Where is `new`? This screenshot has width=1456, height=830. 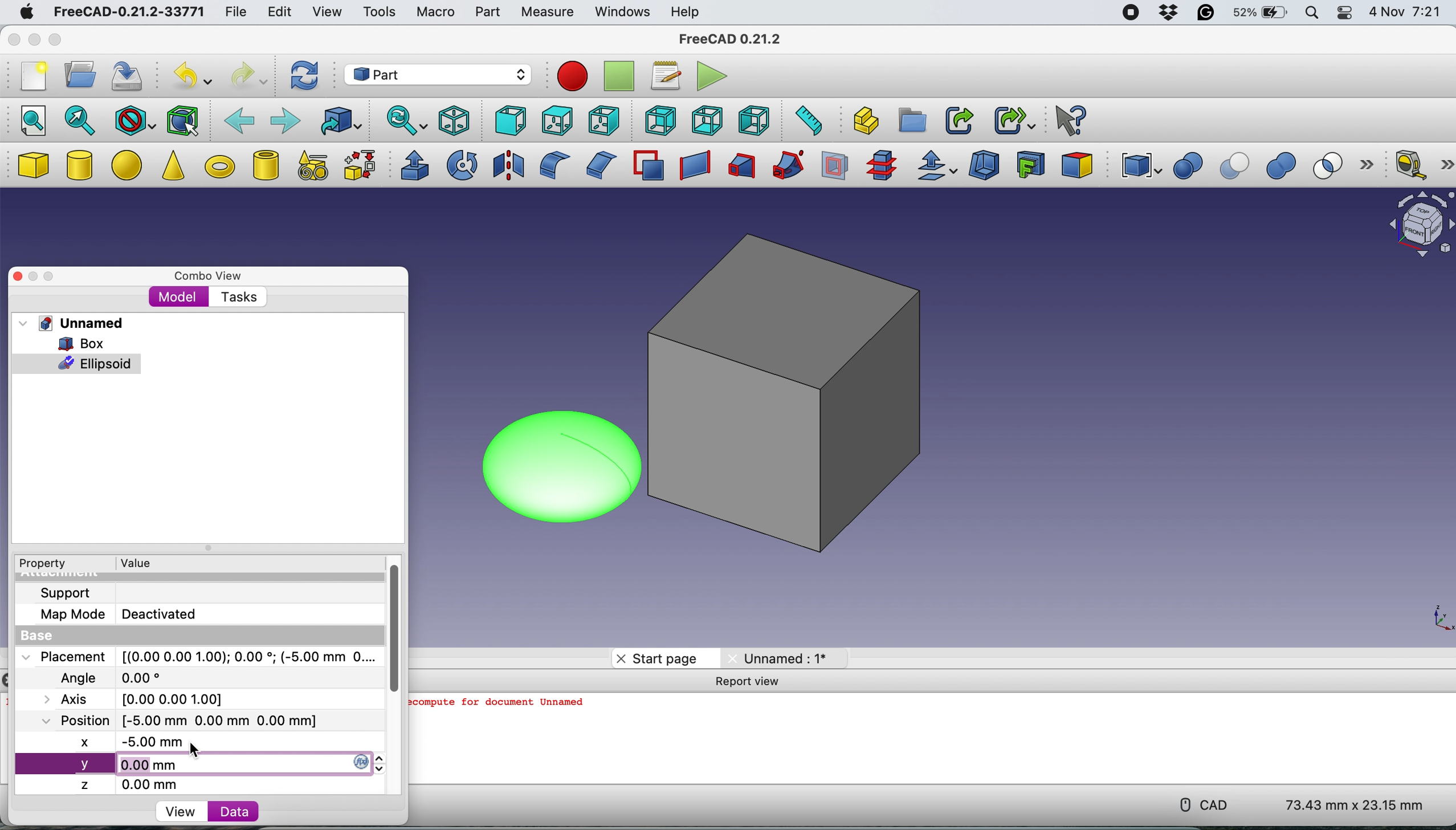 new is located at coordinates (31, 79).